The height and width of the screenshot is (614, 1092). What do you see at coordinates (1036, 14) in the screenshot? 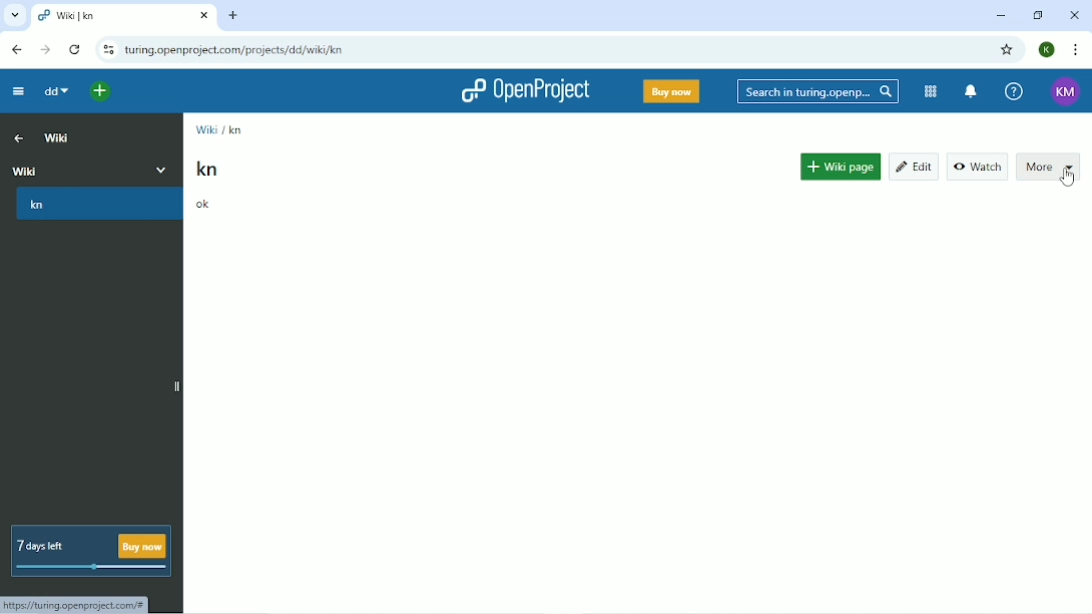
I see `Restore down` at bounding box center [1036, 14].